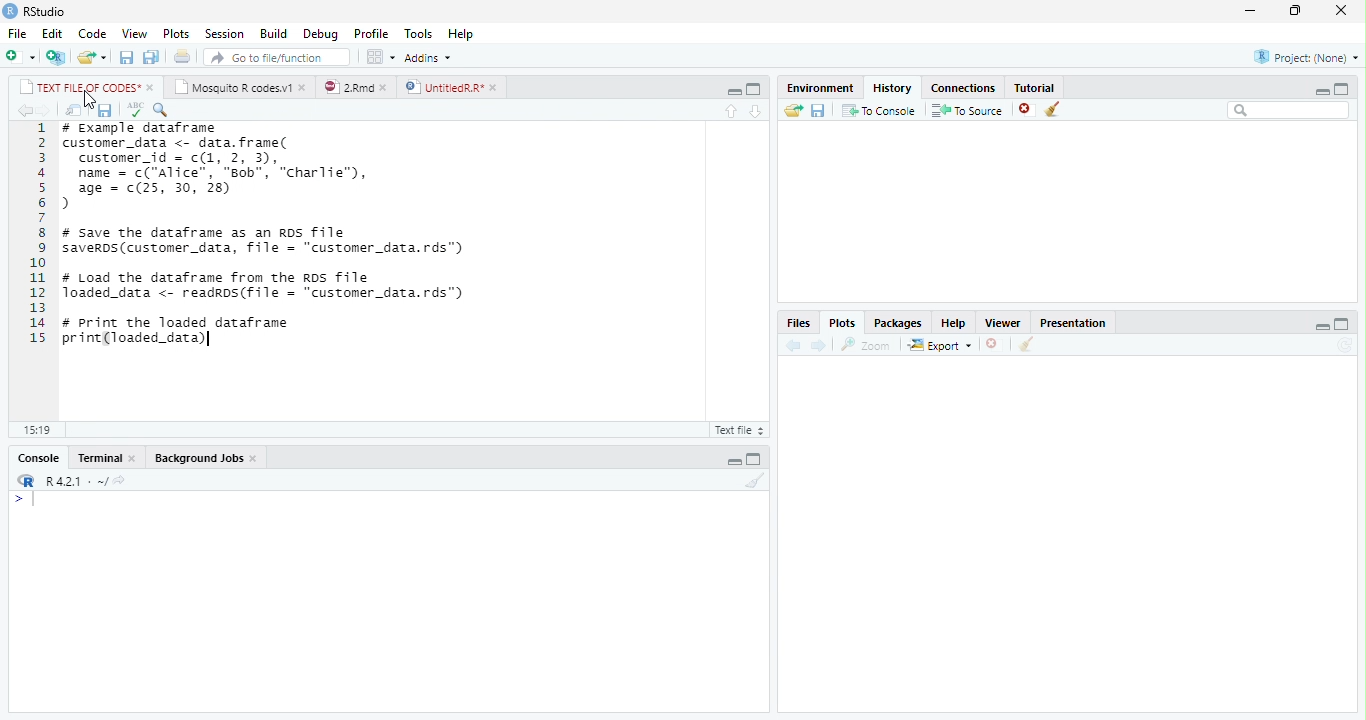 Image resolution: width=1366 pixels, height=720 pixels. I want to click on minimize, so click(1323, 327).